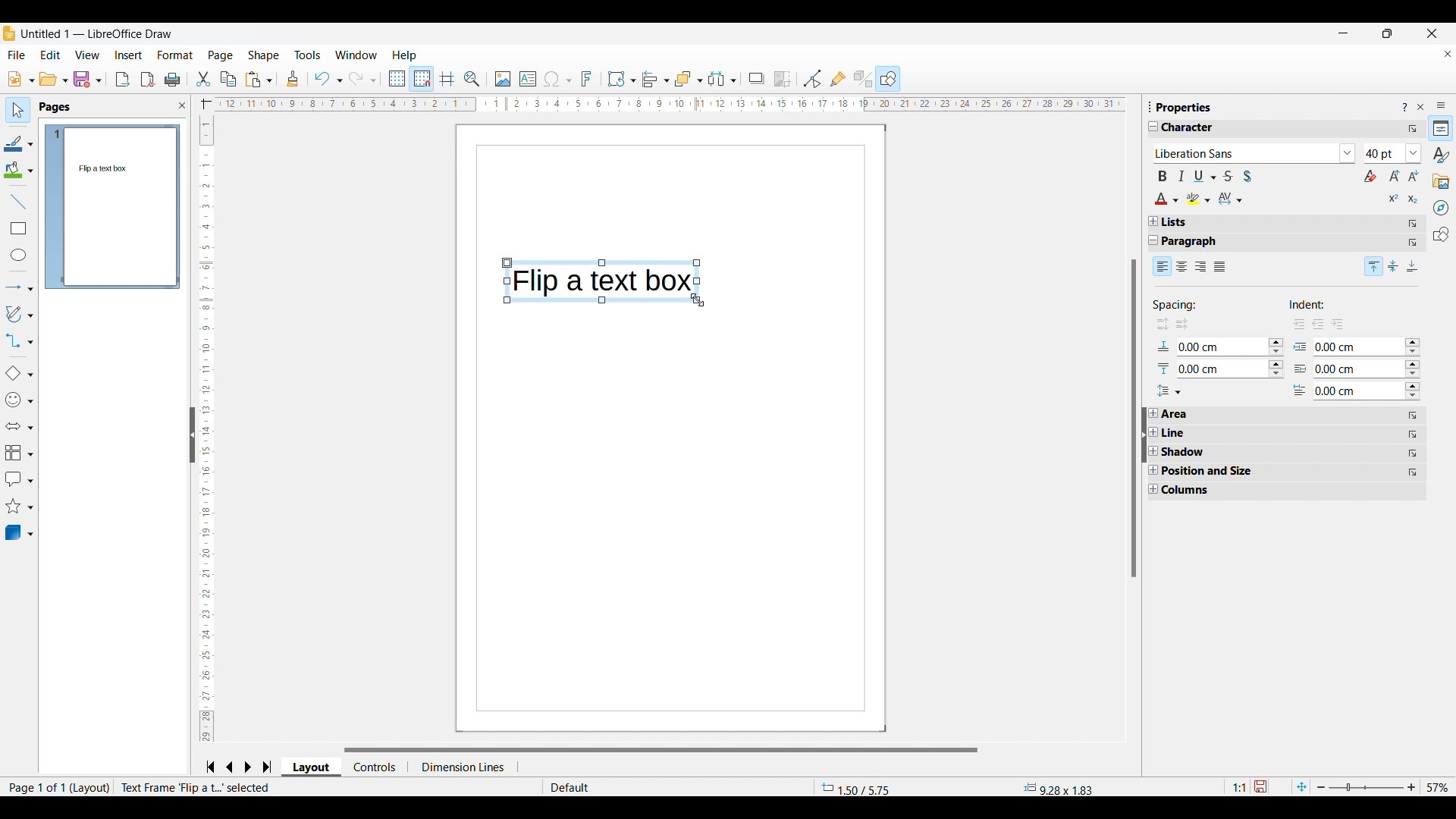 The height and width of the screenshot is (819, 1456). Describe the element at coordinates (1164, 359) in the screenshot. I see `Indicates input for respective spacing options` at that location.